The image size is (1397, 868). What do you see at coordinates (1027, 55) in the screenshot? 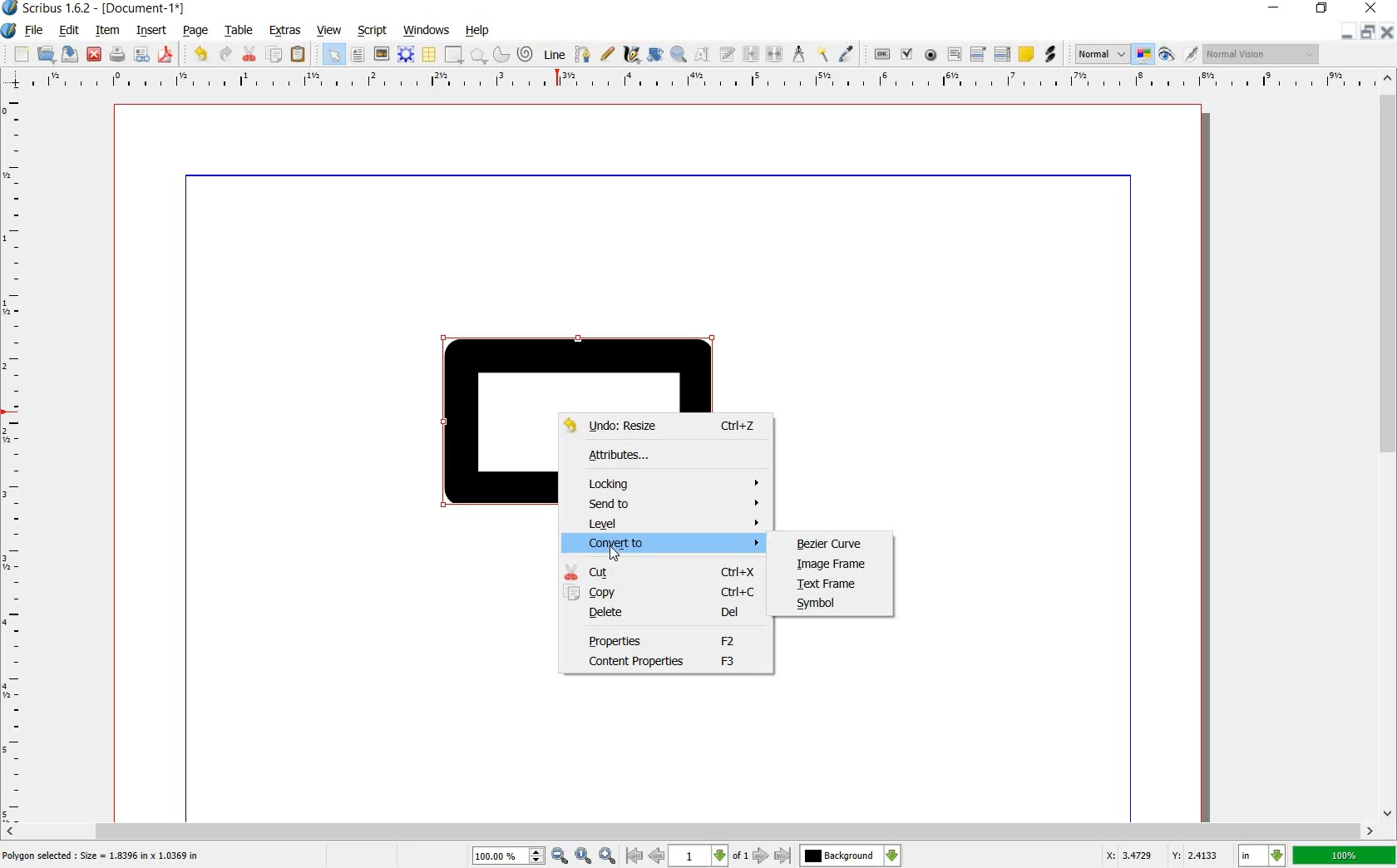
I see `text annotation` at bounding box center [1027, 55].